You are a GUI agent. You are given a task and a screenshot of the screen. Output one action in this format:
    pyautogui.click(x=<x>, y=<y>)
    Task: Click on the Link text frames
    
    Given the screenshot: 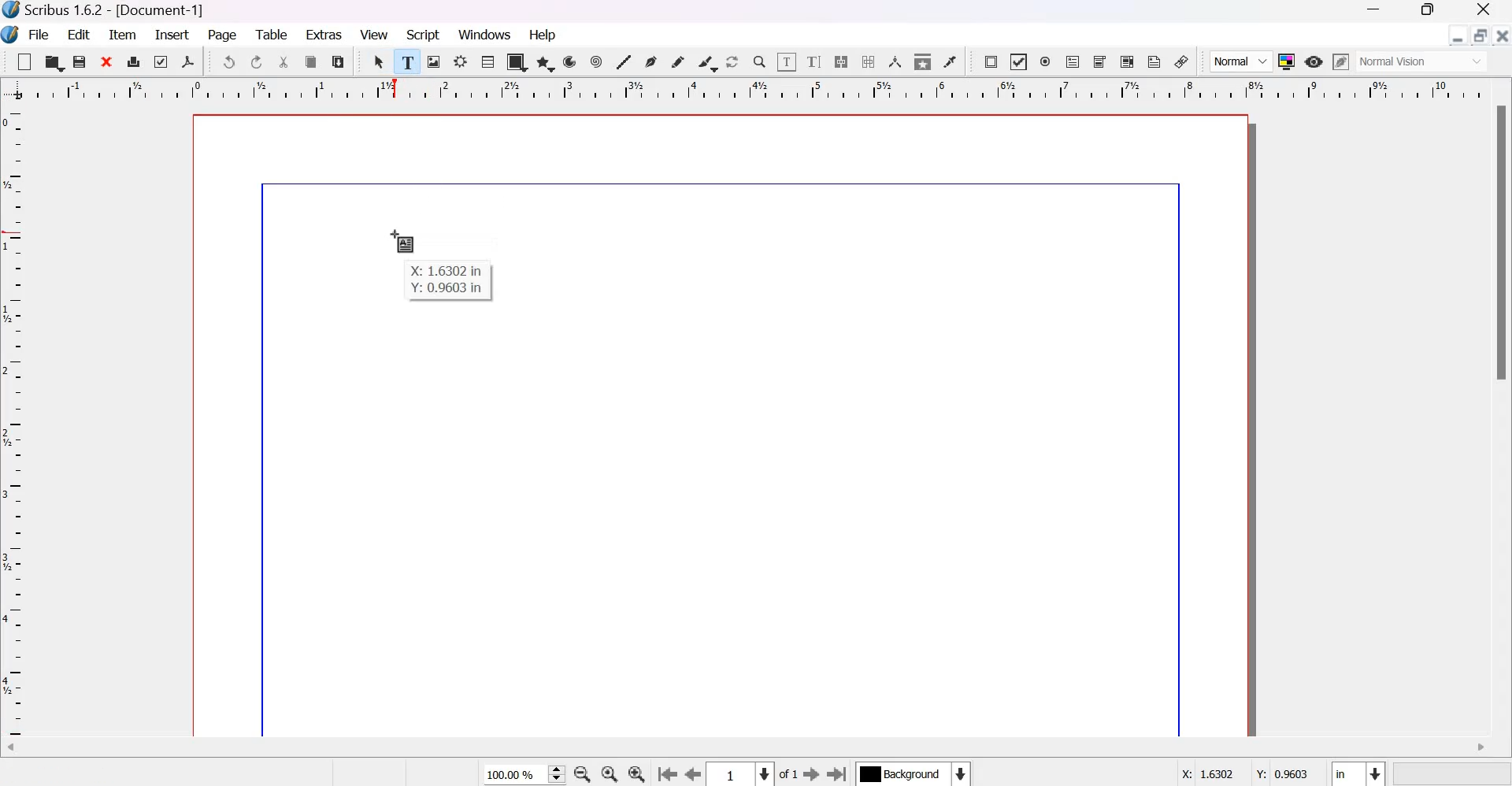 What is the action you would take?
    pyautogui.click(x=841, y=61)
    